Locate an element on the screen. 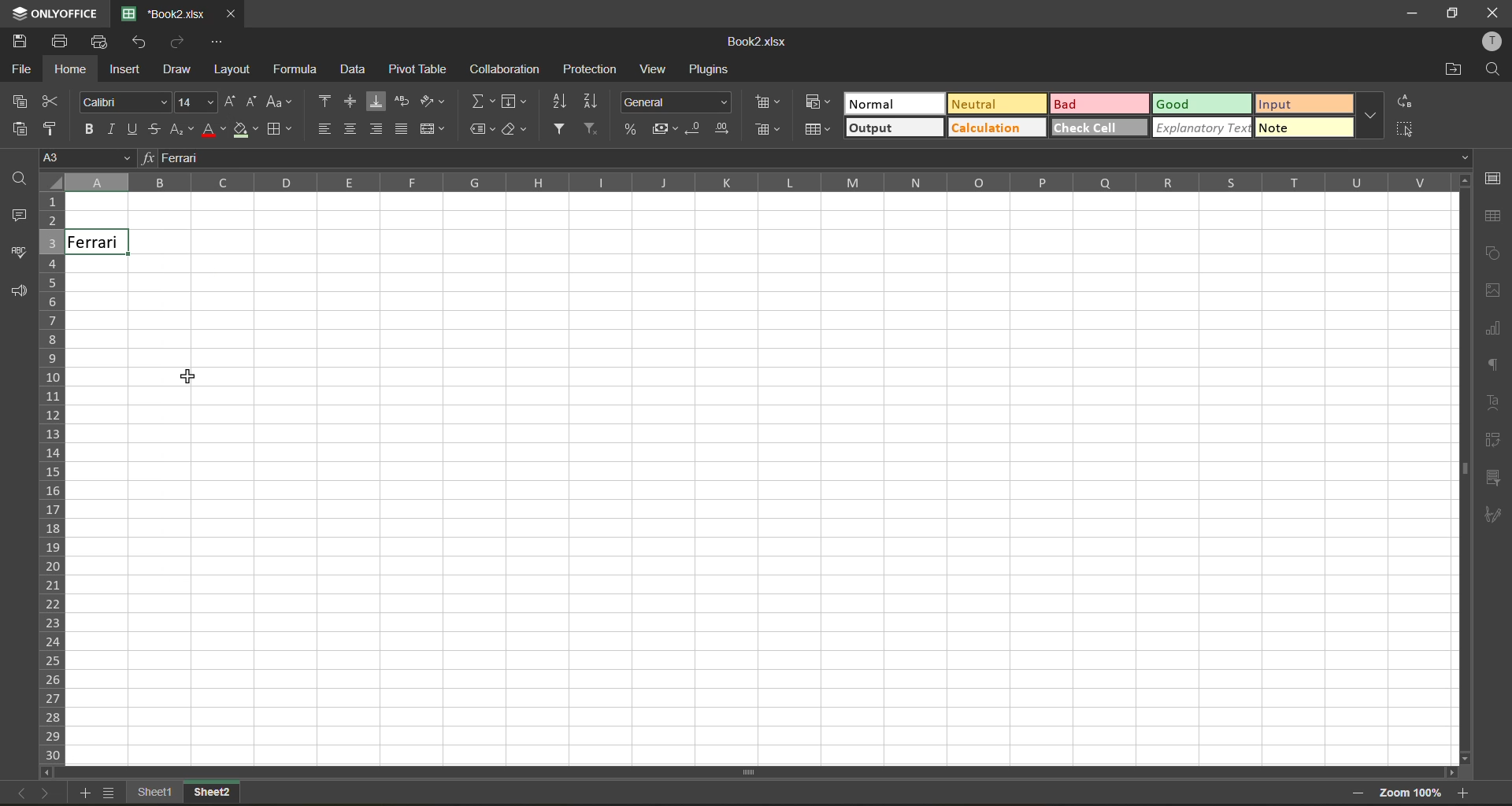 Image resolution: width=1512 pixels, height=806 pixels. change case is located at coordinates (283, 102).